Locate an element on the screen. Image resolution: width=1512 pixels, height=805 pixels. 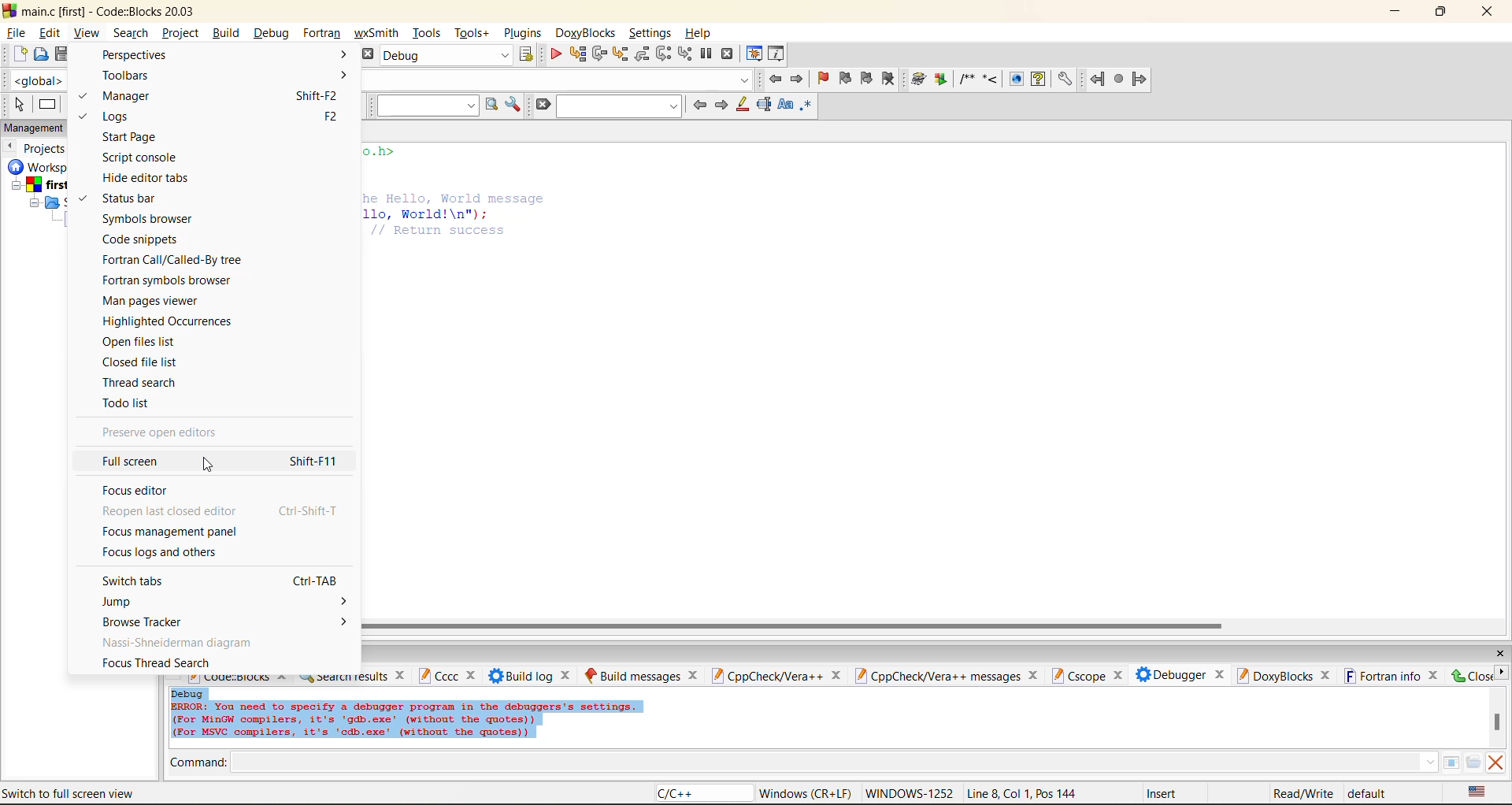
build is located at coordinates (226, 32).